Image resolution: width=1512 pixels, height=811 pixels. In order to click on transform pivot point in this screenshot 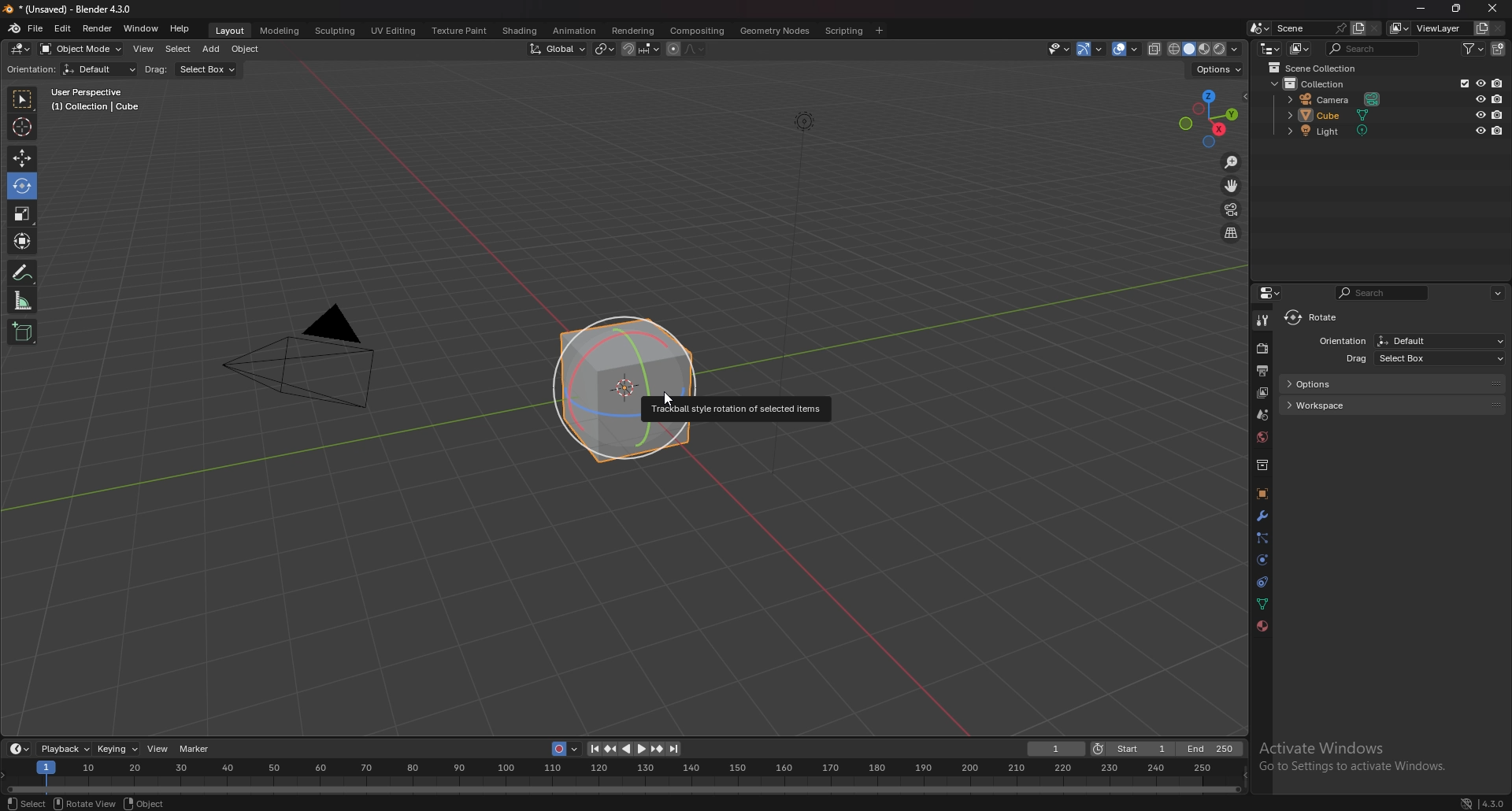, I will do `click(606, 48)`.